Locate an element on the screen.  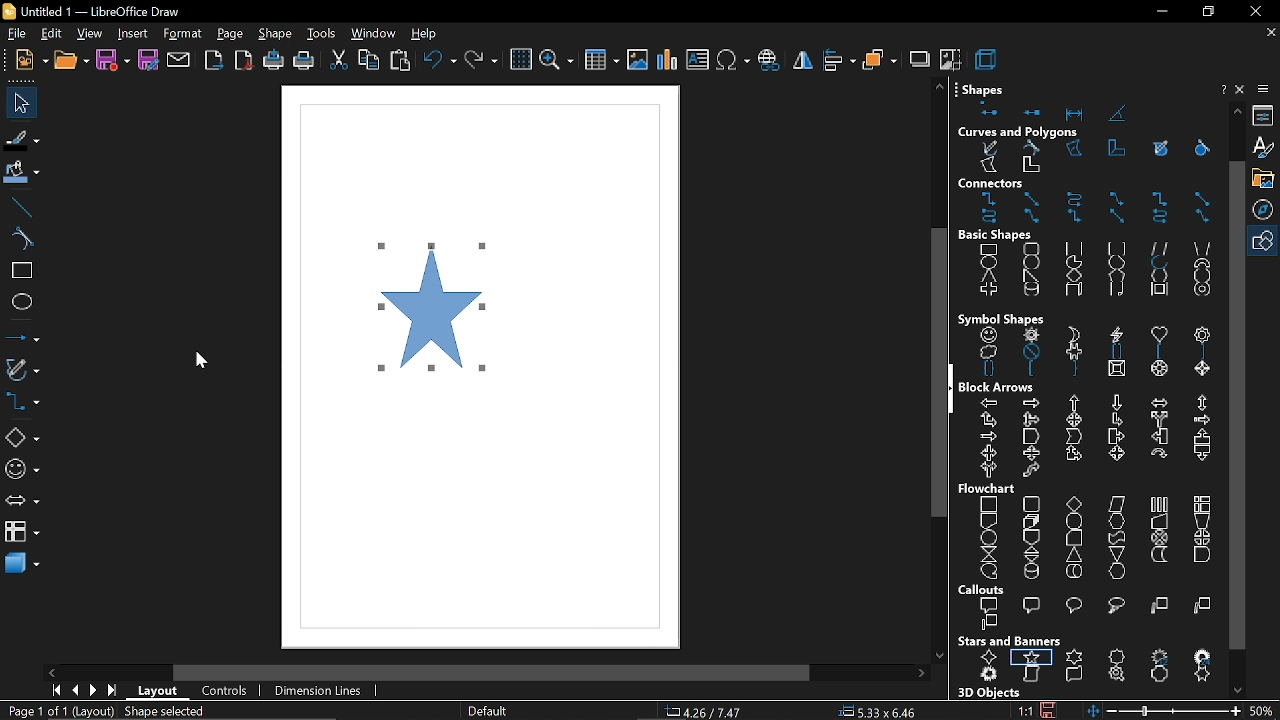
window is located at coordinates (374, 35).